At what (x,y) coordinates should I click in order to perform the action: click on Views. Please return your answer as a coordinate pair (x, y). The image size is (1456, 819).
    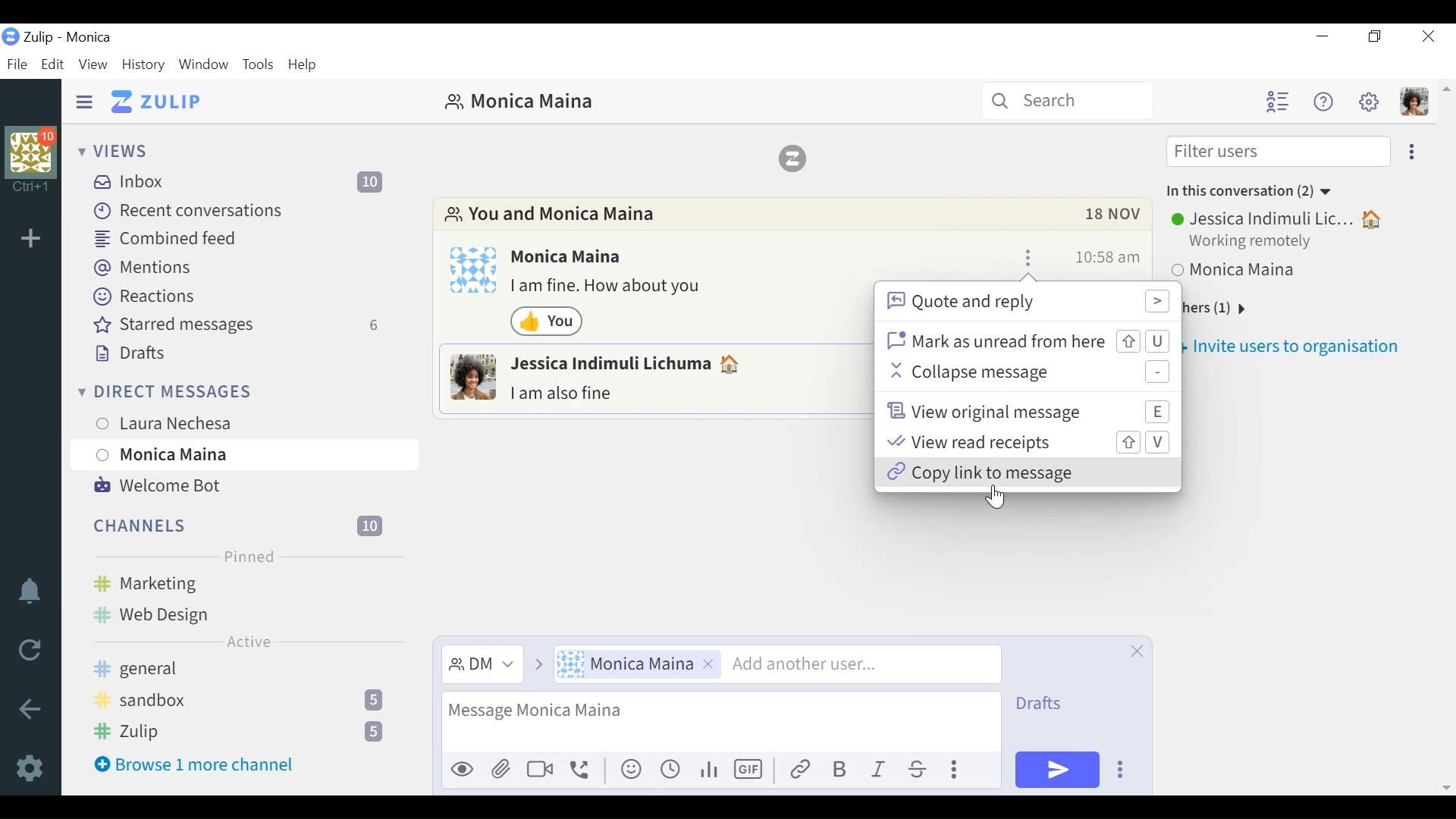
    Looking at the image, I should click on (116, 152).